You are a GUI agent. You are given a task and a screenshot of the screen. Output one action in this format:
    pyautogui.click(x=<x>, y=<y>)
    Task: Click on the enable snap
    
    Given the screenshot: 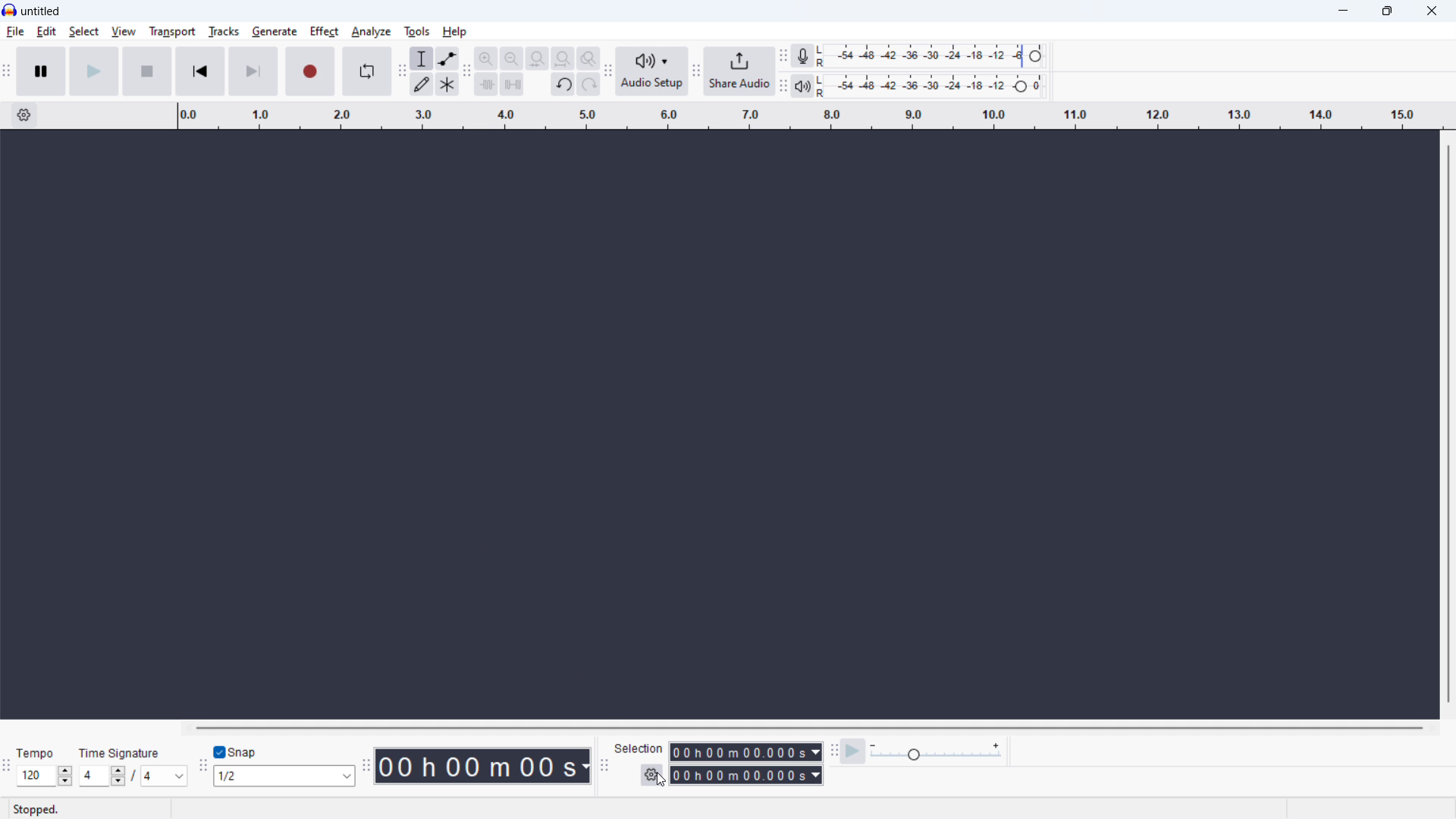 What is the action you would take?
    pyautogui.click(x=235, y=752)
    